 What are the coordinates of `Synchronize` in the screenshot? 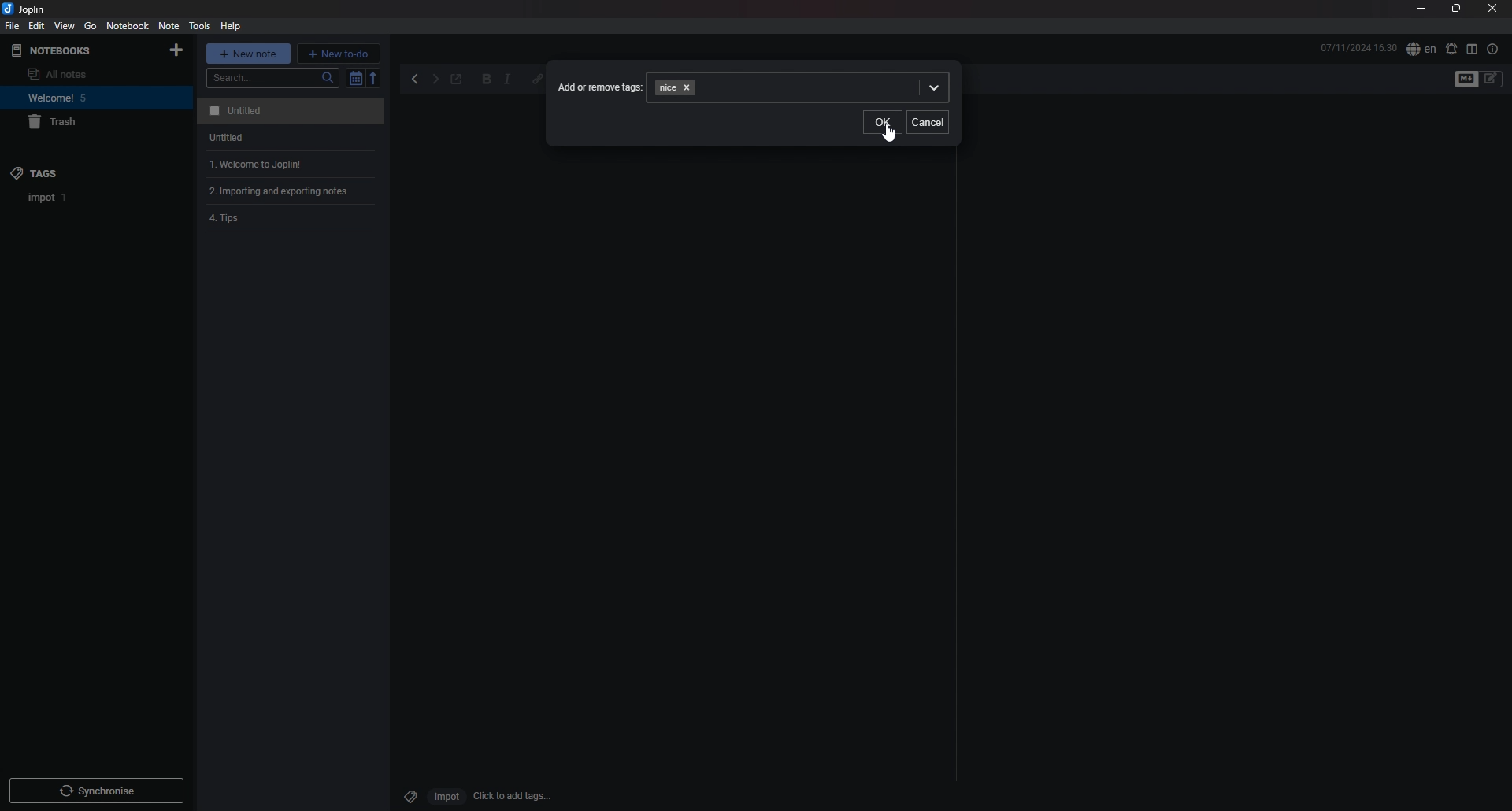 It's located at (99, 793).